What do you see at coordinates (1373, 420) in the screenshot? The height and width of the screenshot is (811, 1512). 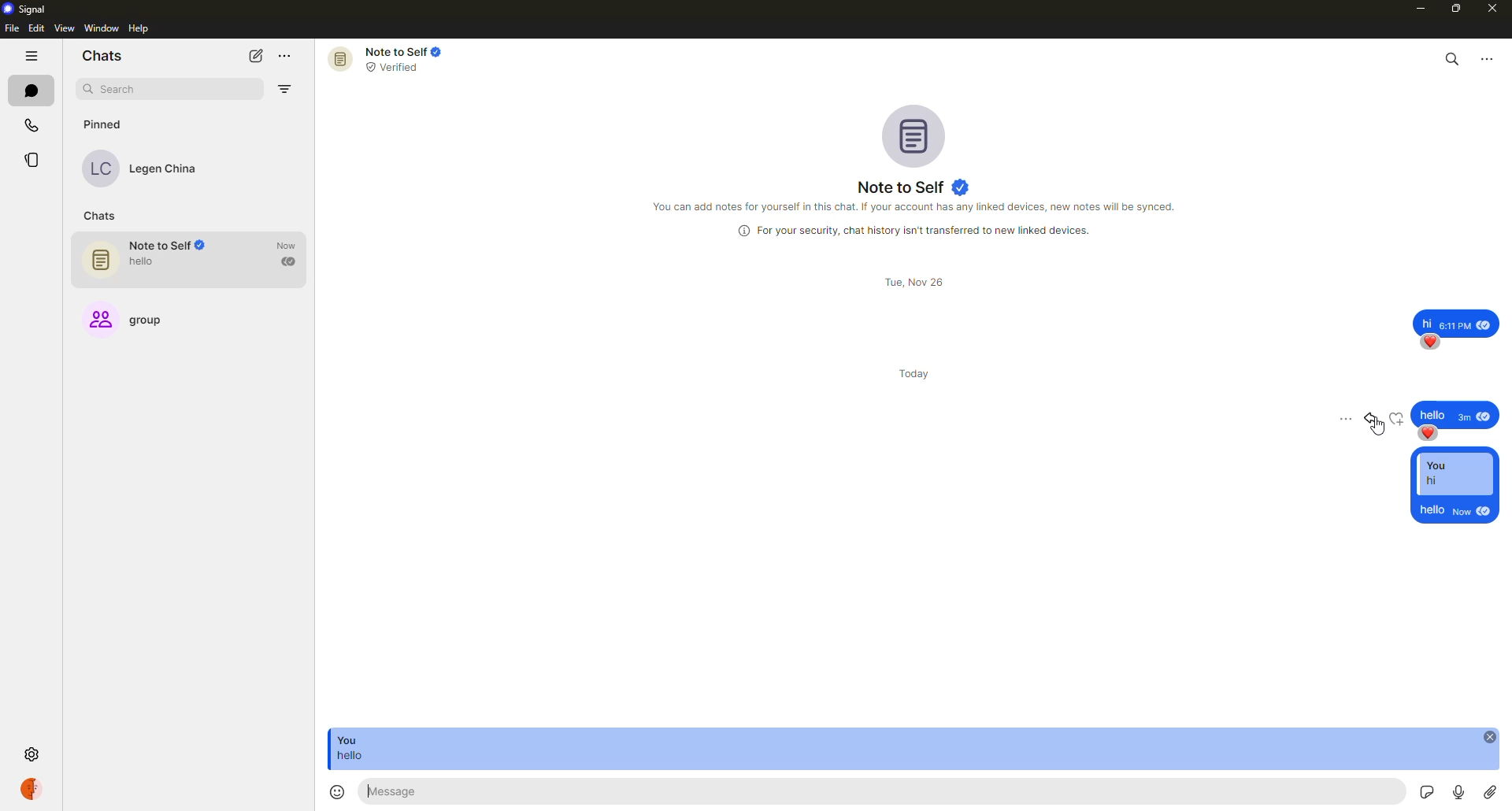 I see `reply` at bounding box center [1373, 420].